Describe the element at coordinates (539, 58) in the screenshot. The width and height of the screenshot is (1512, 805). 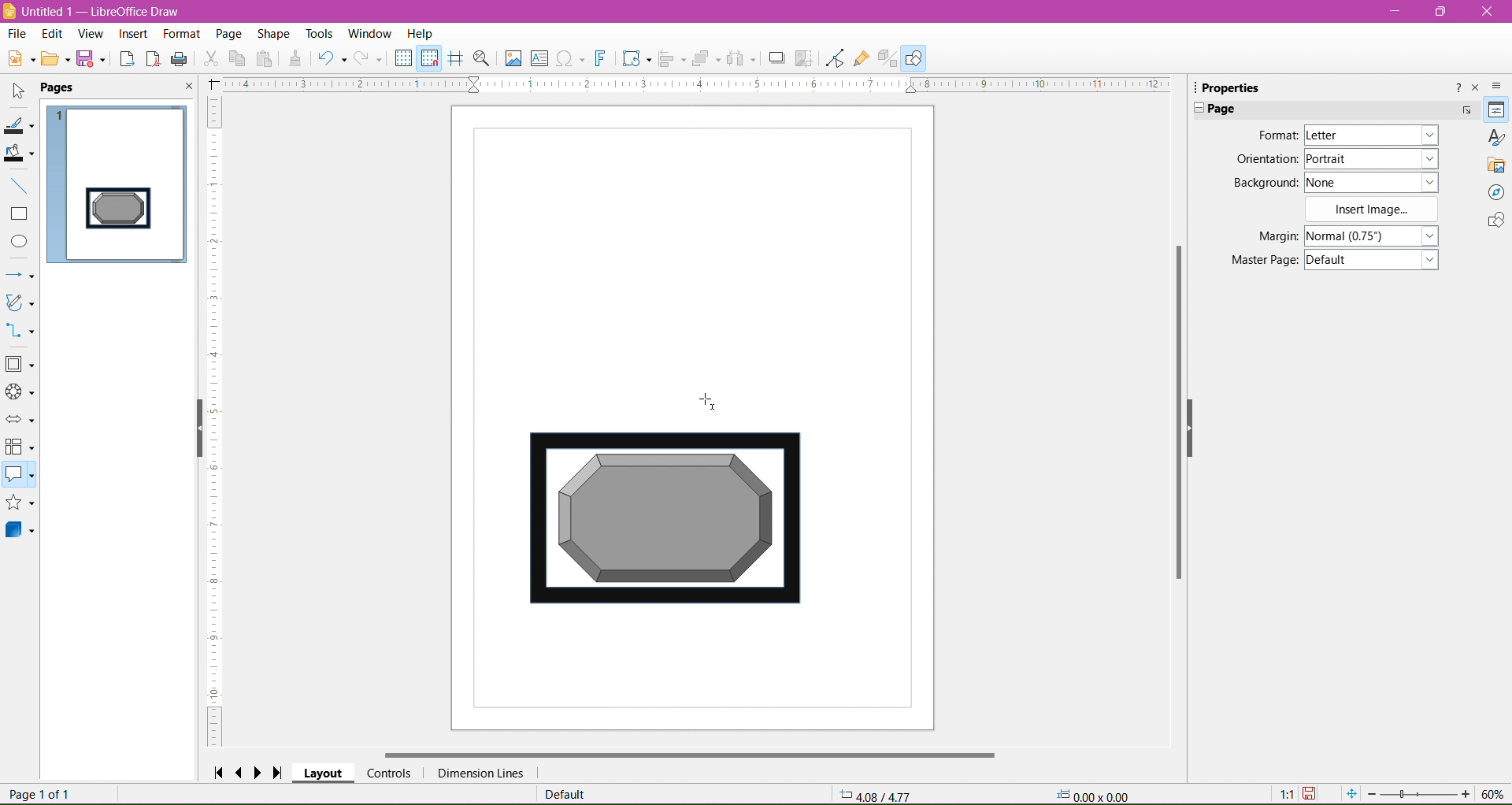
I see `Insert Textbox` at that location.